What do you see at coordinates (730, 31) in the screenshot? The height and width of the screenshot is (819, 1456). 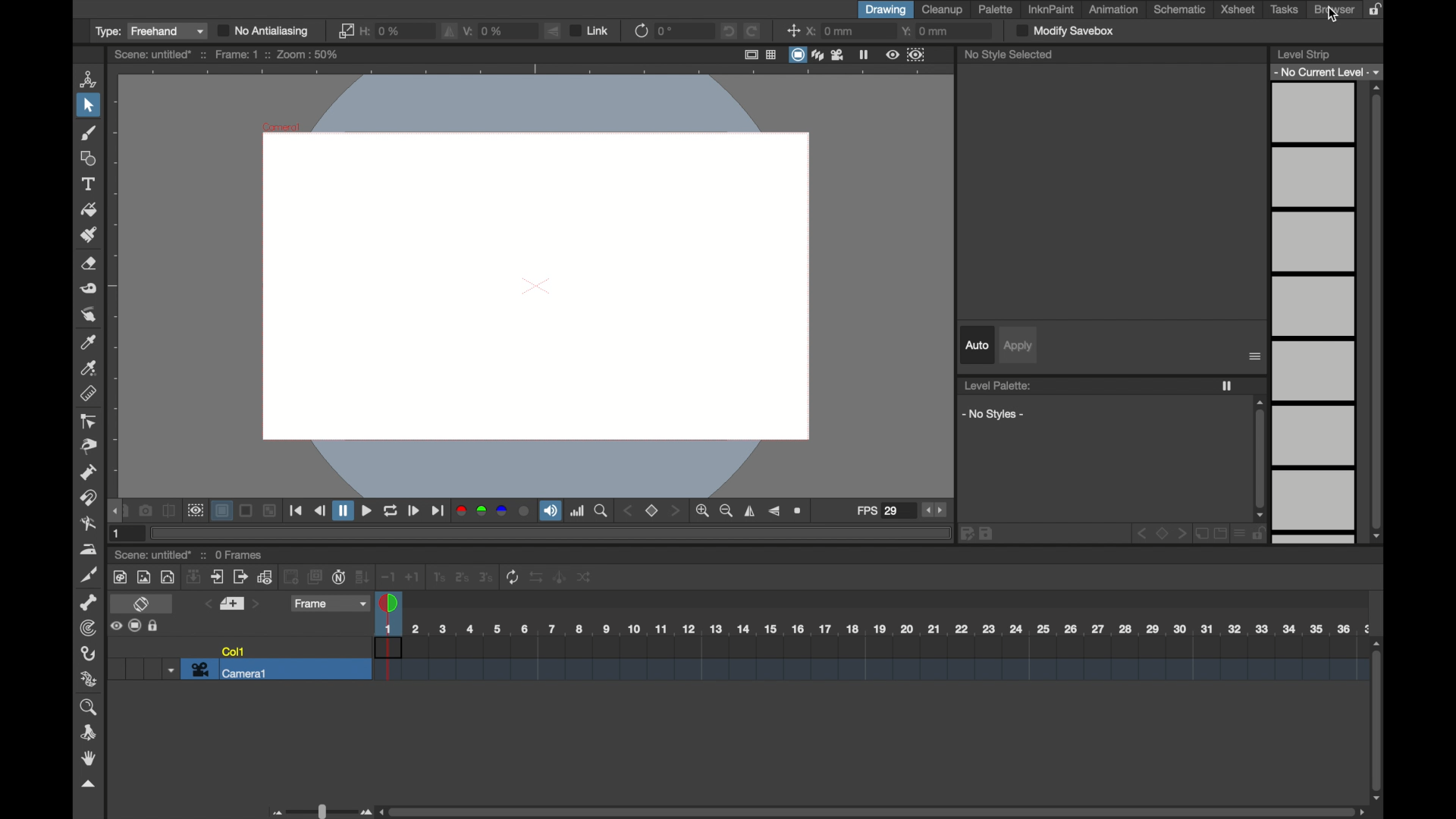 I see `undo` at bounding box center [730, 31].